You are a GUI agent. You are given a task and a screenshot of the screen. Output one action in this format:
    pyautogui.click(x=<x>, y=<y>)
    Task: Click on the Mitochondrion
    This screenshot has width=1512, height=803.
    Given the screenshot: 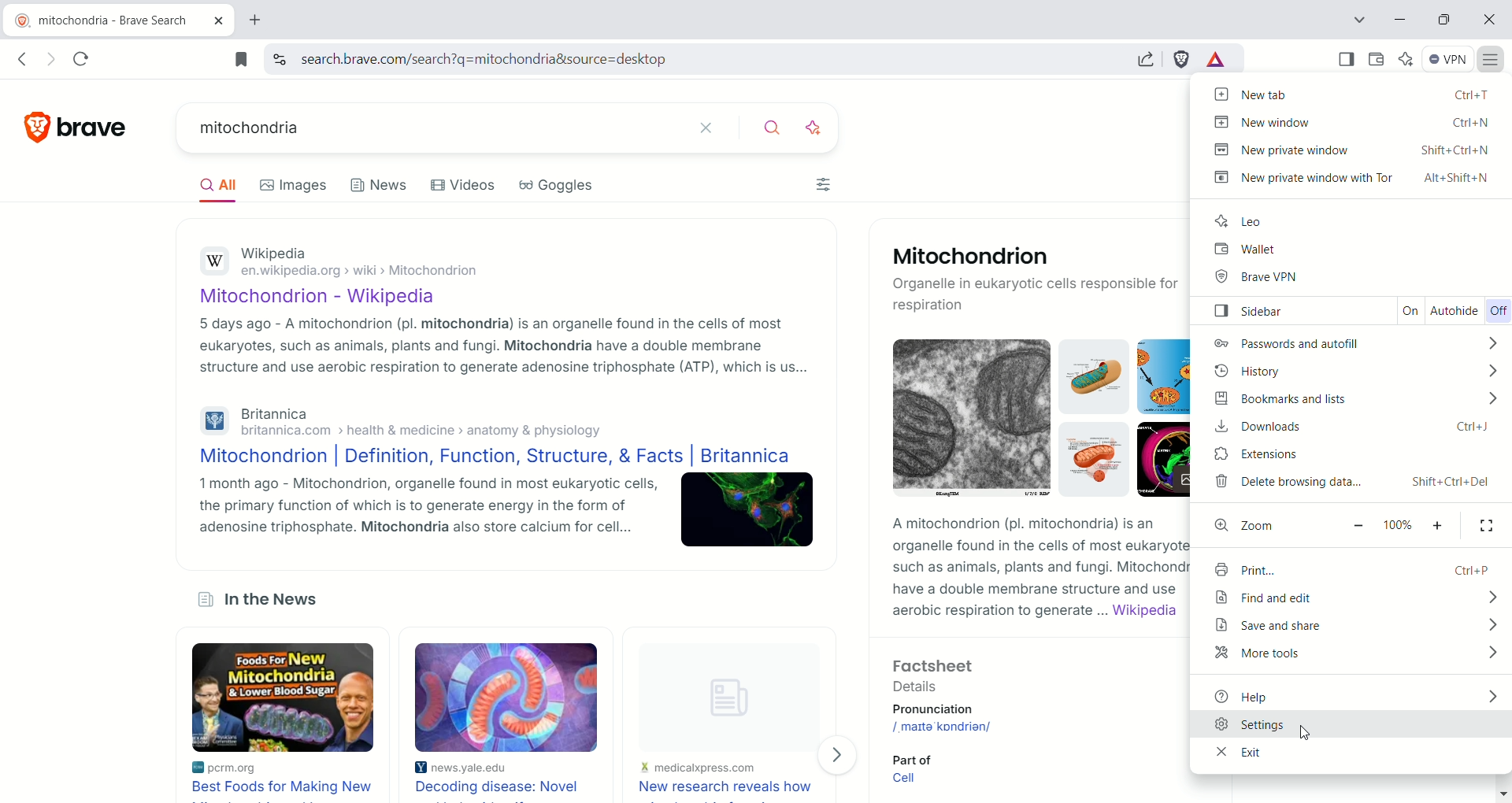 What is the action you would take?
    pyautogui.click(x=985, y=252)
    